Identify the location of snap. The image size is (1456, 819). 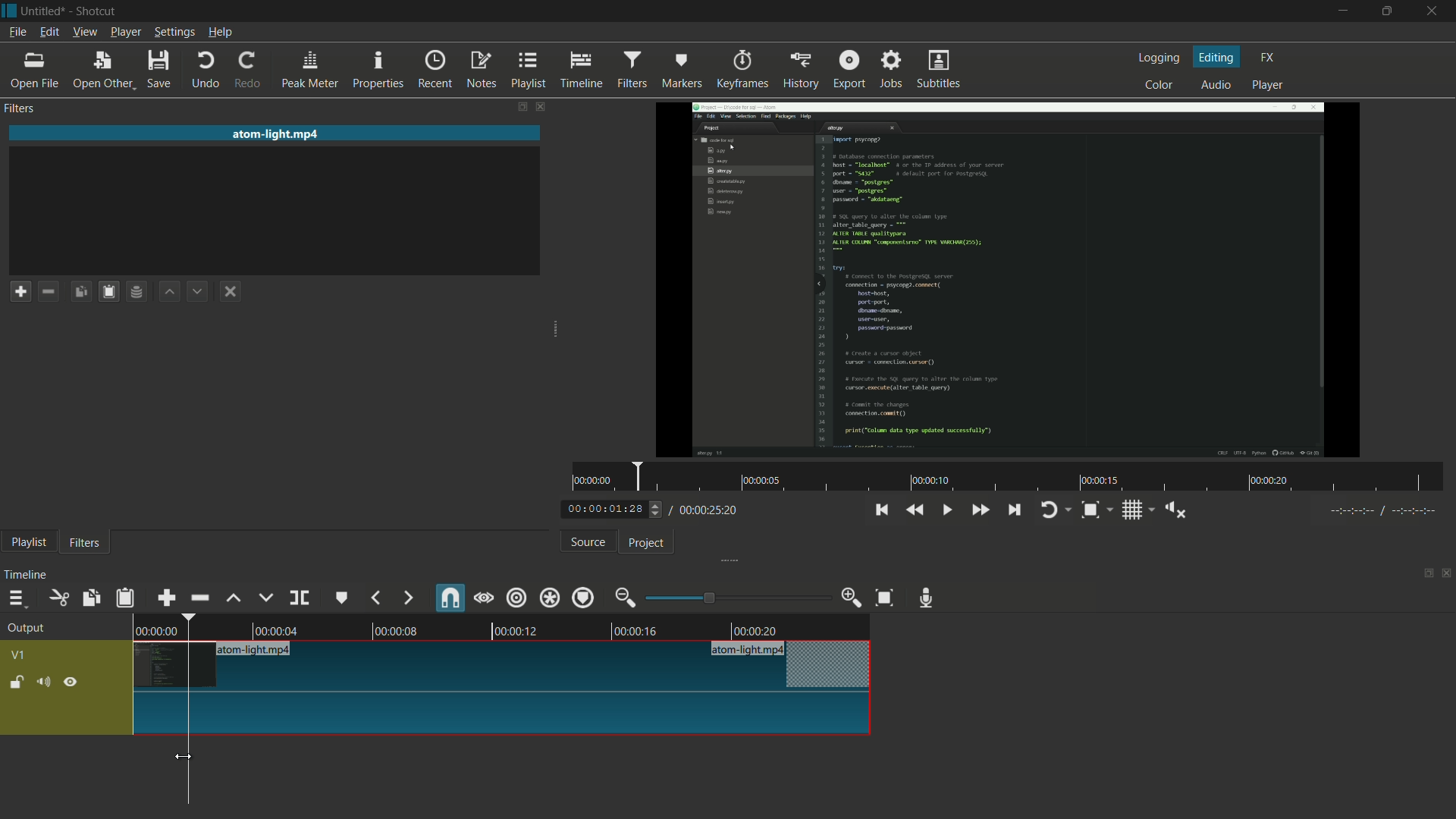
(448, 597).